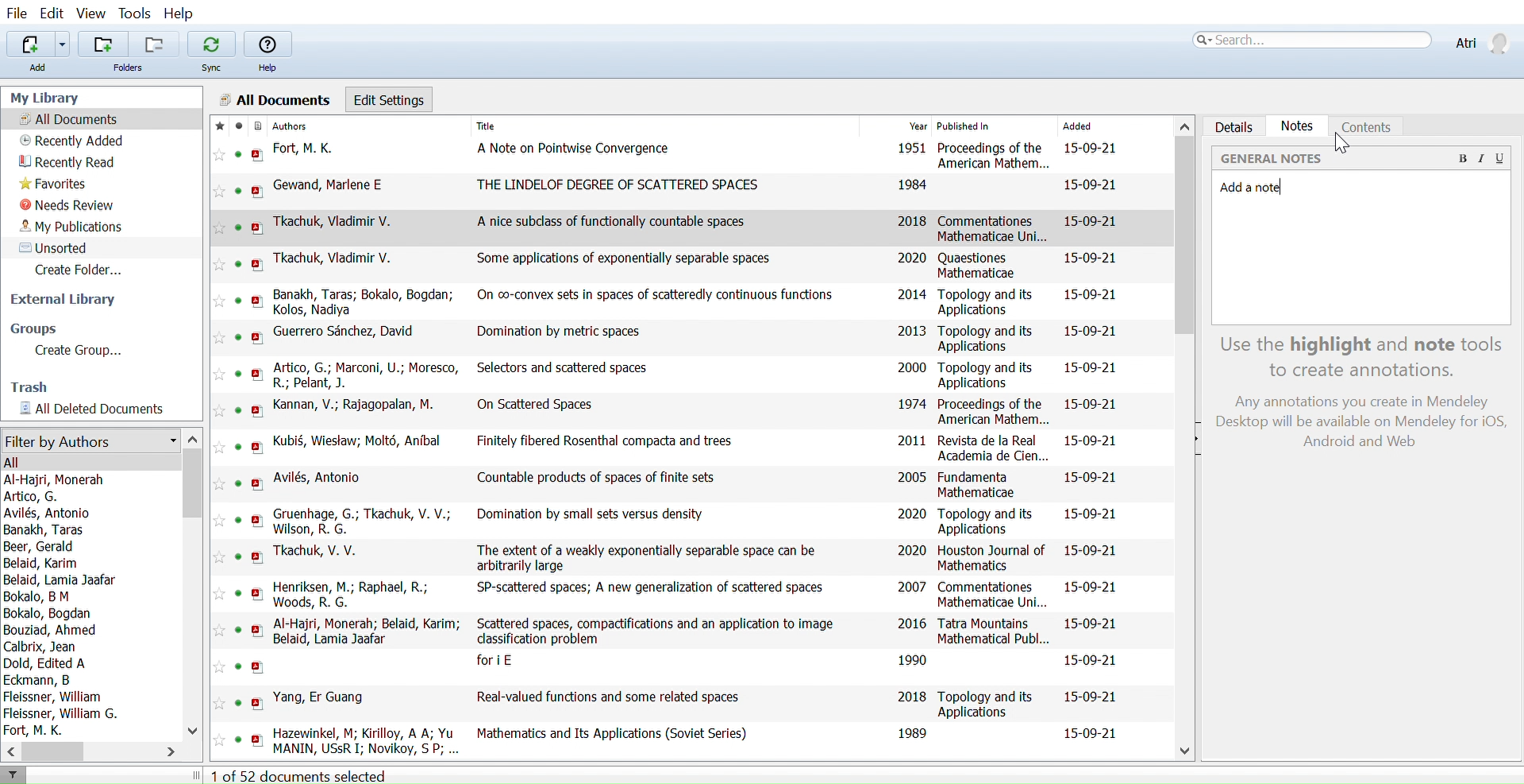  What do you see at coordinates (619, 185) in the screenshot?
I see `THE LINDELOF DEGREE OF SCATTERED SPACES` at bounding box center [619, 185].